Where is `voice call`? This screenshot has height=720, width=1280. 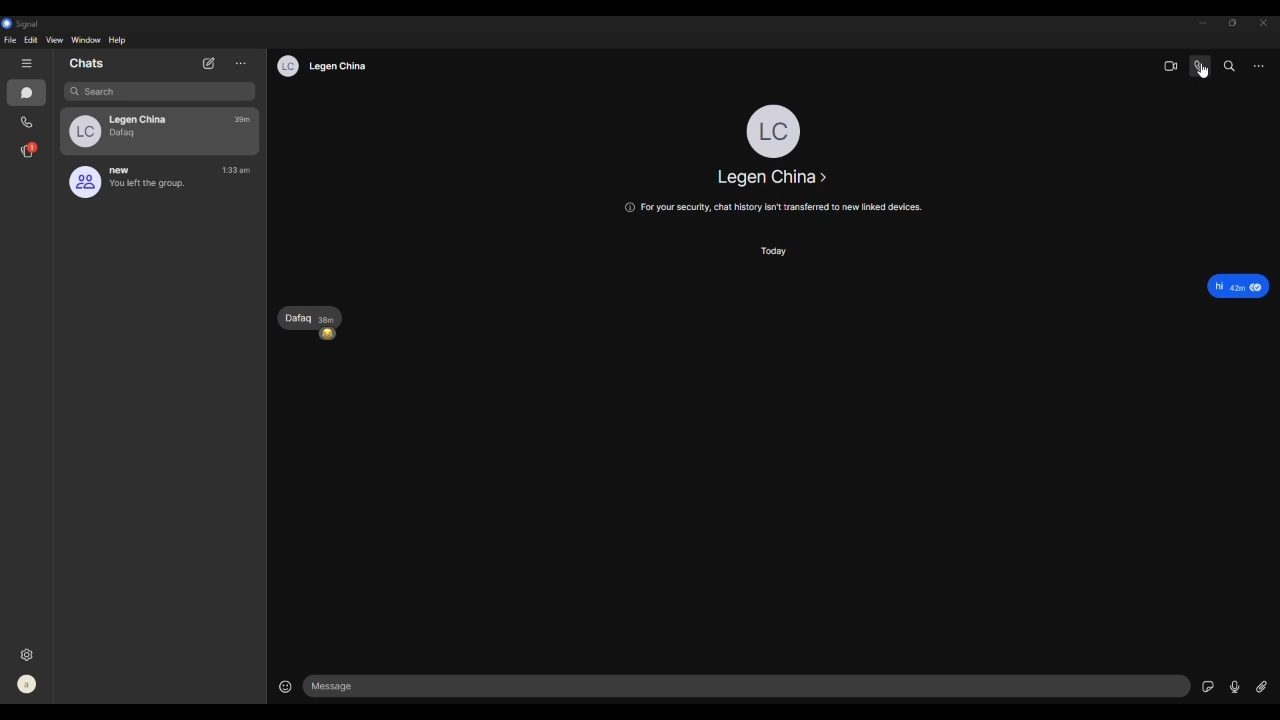
voice call is located at coordinates (1199, 65).